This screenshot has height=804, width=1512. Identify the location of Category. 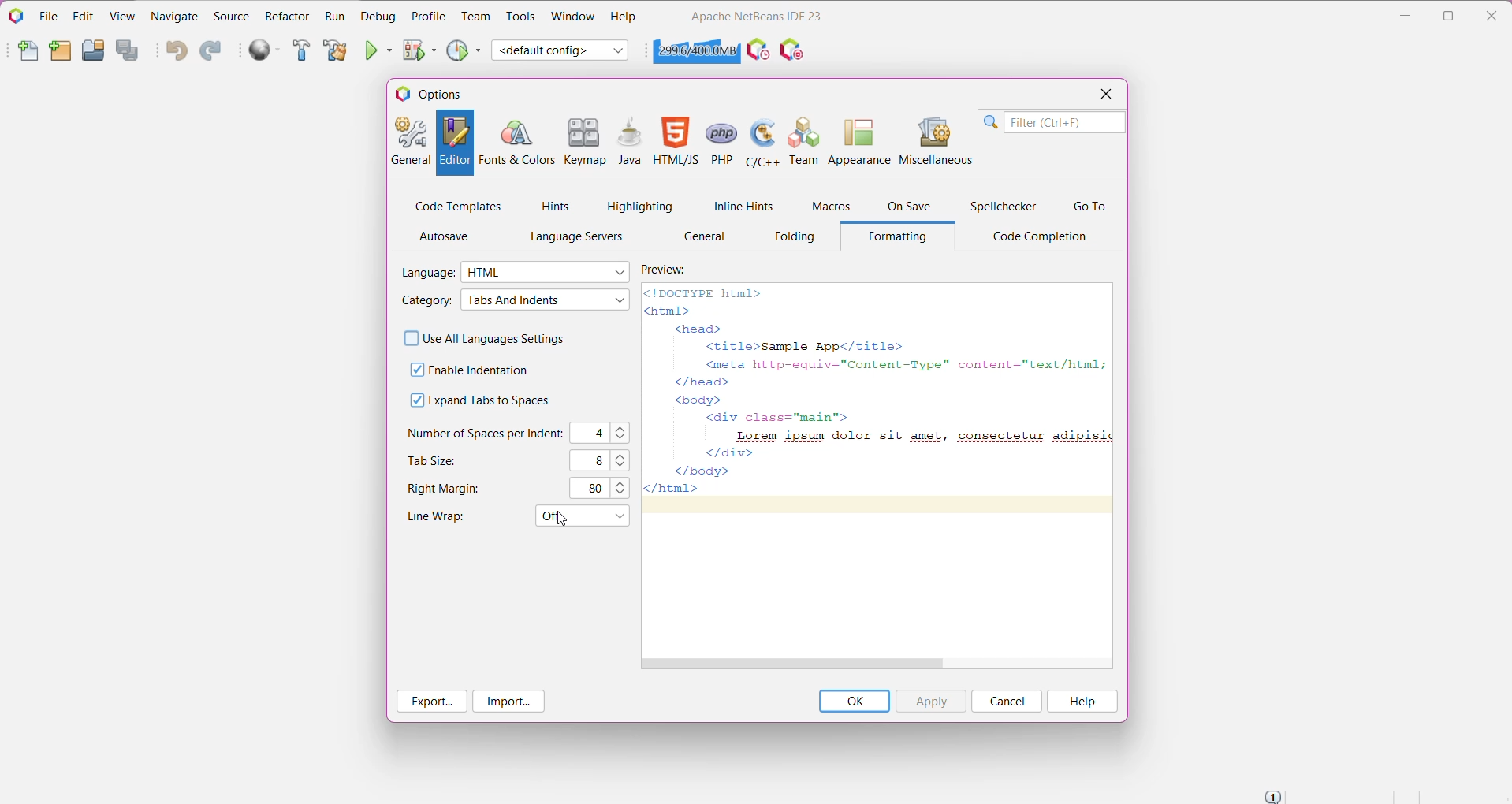
(425, 301).